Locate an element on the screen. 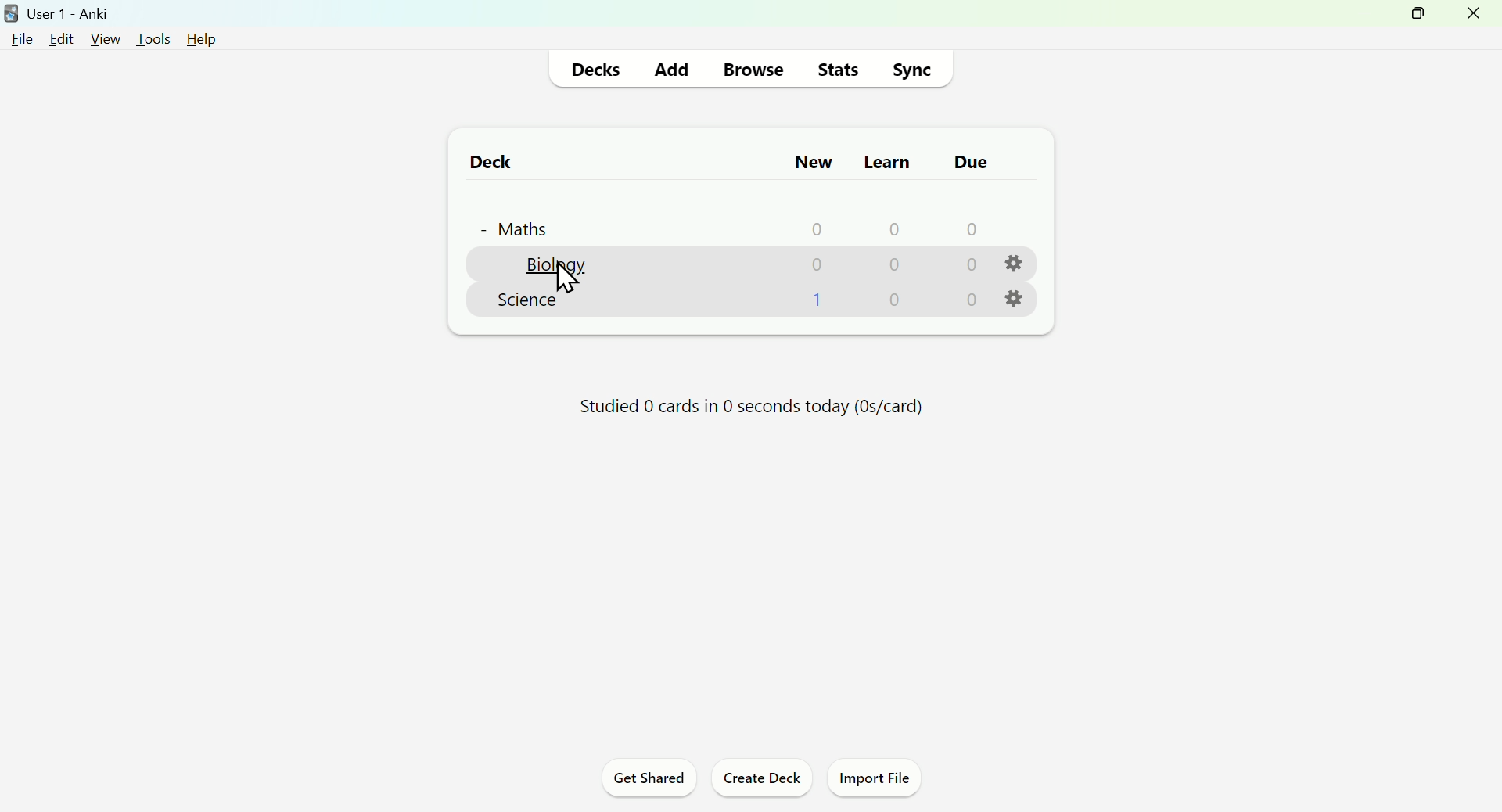 This screenshot has width=1502, height=812. 0 is located at coordinates (967, 229).